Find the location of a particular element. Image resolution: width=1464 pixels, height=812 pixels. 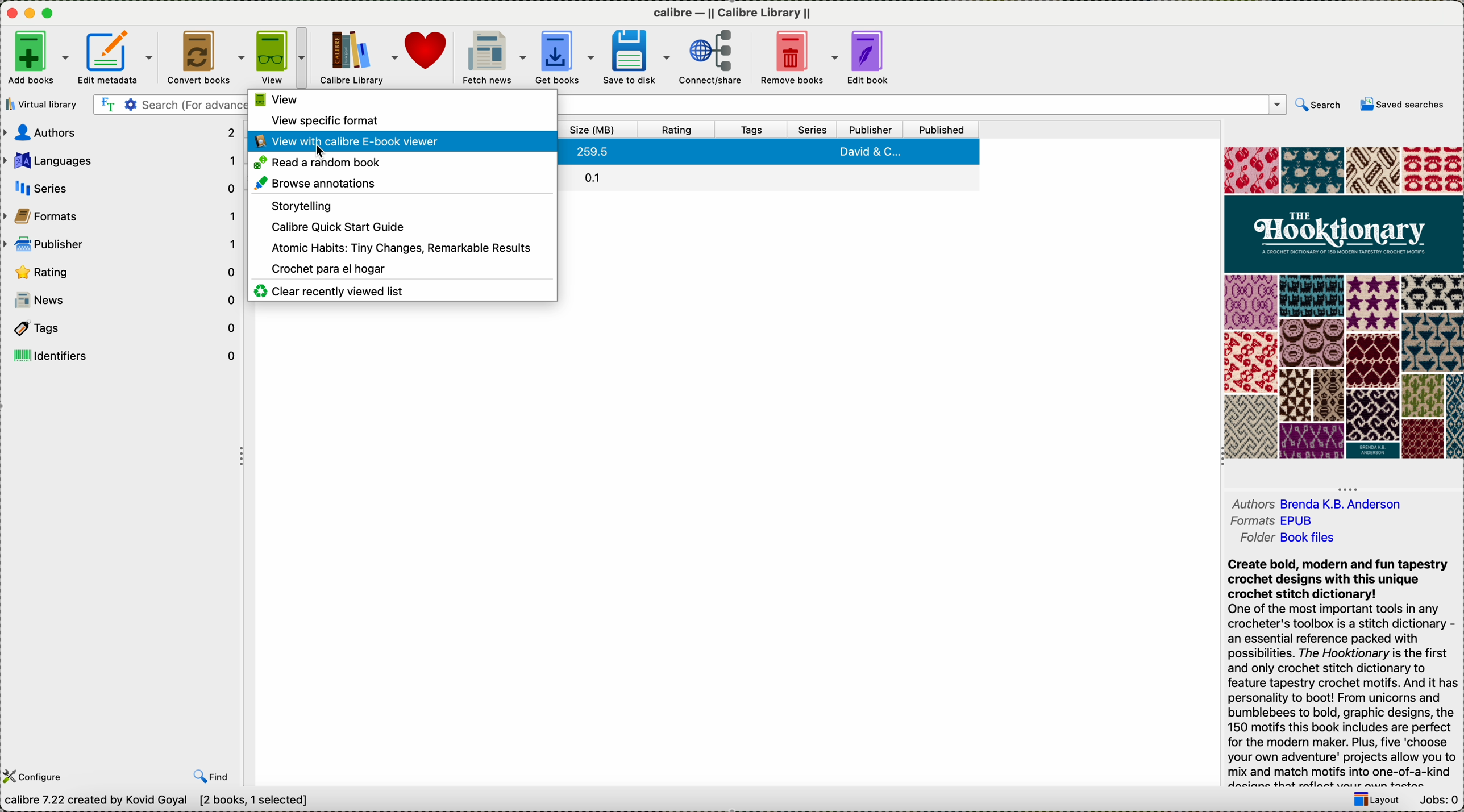

publisher is located at coordinates (869, 128).